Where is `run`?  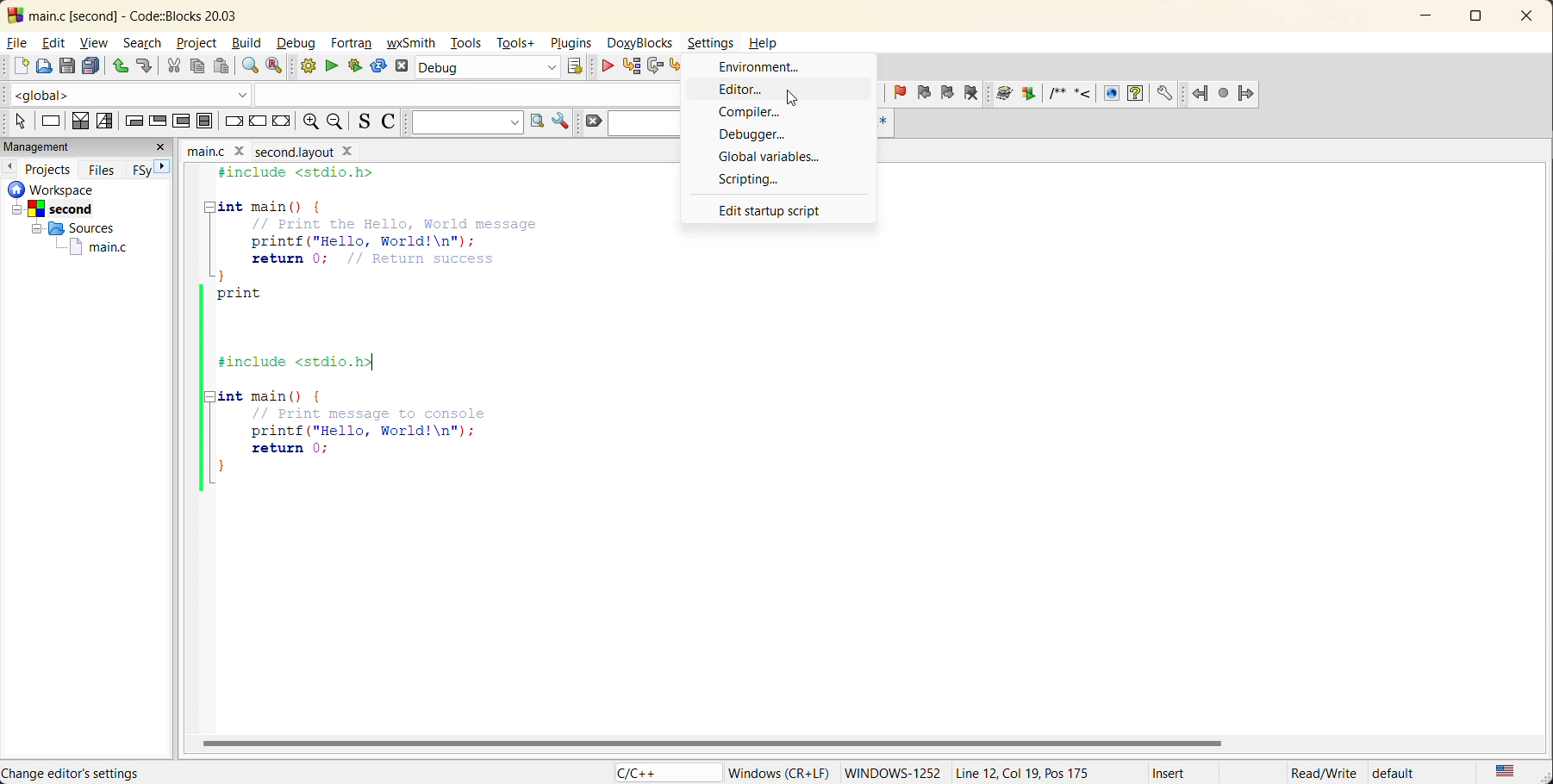
run is located at coordinates (332, 65).